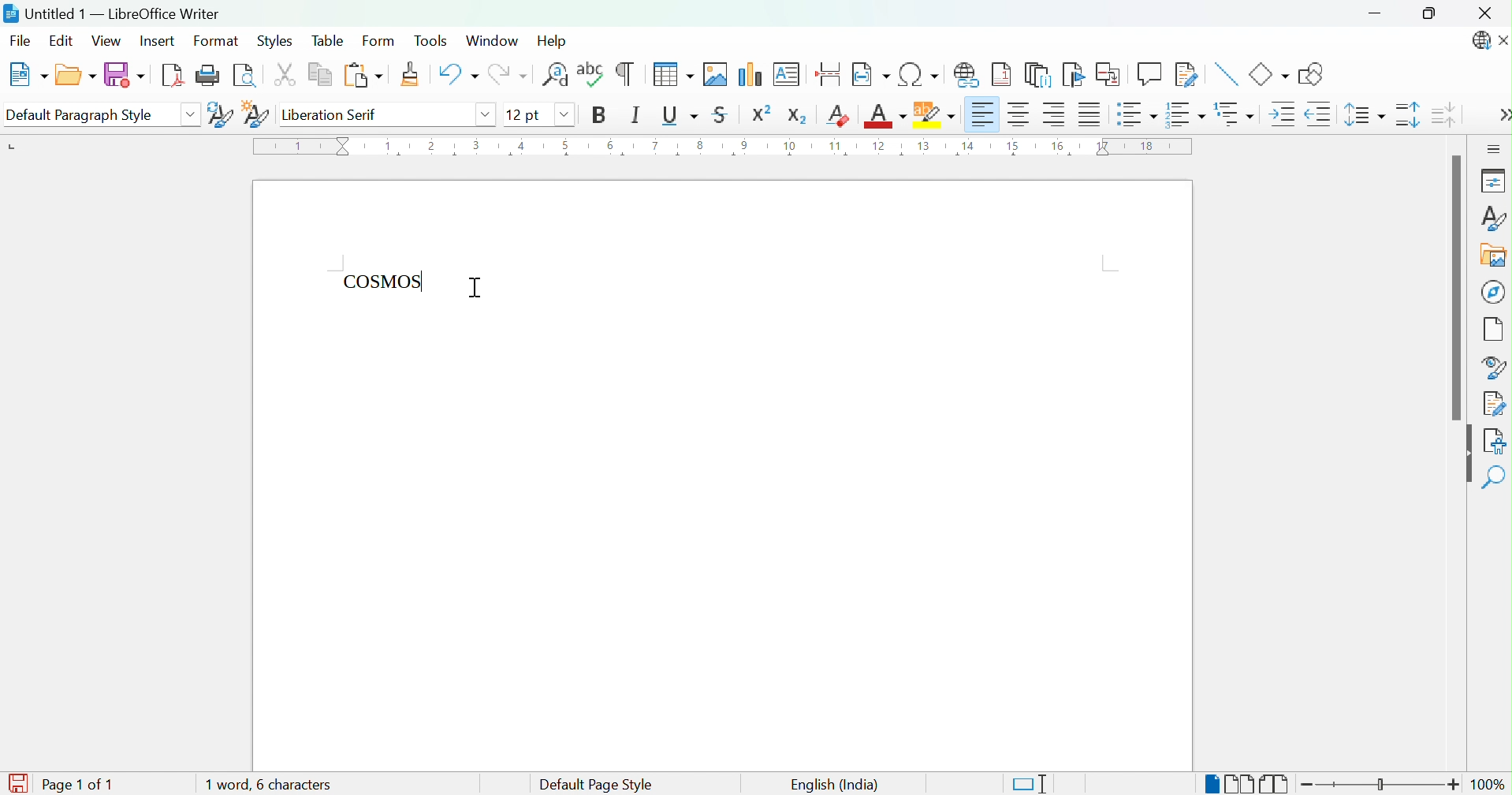 The width and height of the screenshot is (1512, 795). What do you see at coordinates (554, 39) in the screenshot?
I see `Help` at bounding box center [554, 39].